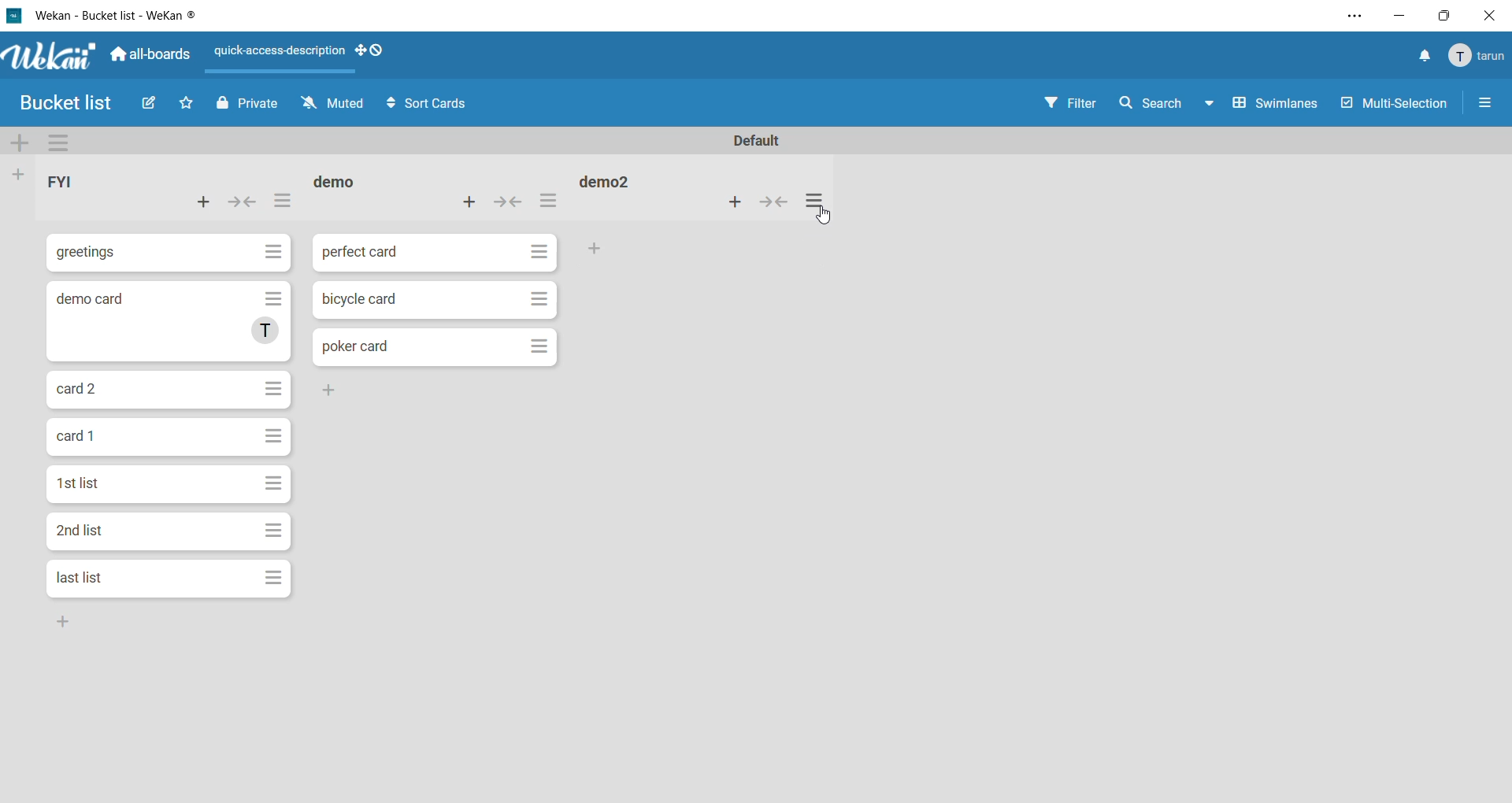  I want to click on More Options, so click(1482, 102).